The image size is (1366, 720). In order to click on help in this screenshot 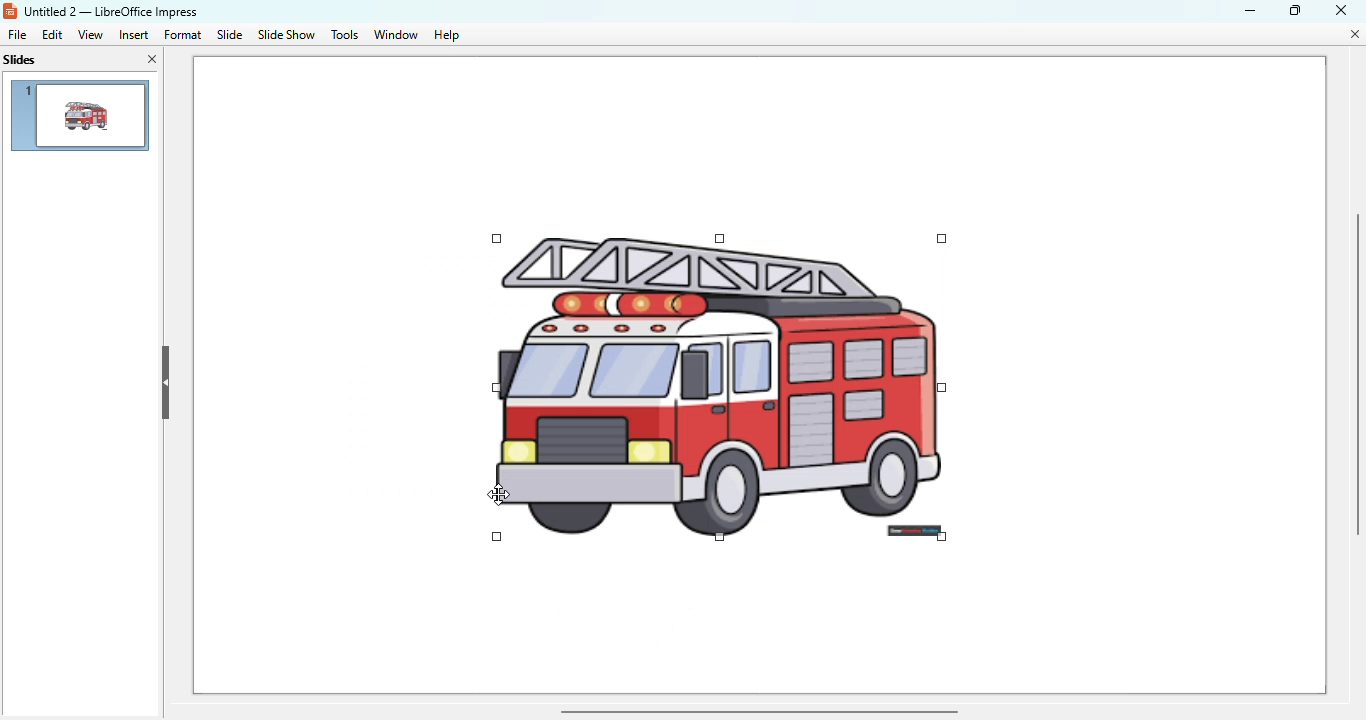, I will do `click(447, 35)`.